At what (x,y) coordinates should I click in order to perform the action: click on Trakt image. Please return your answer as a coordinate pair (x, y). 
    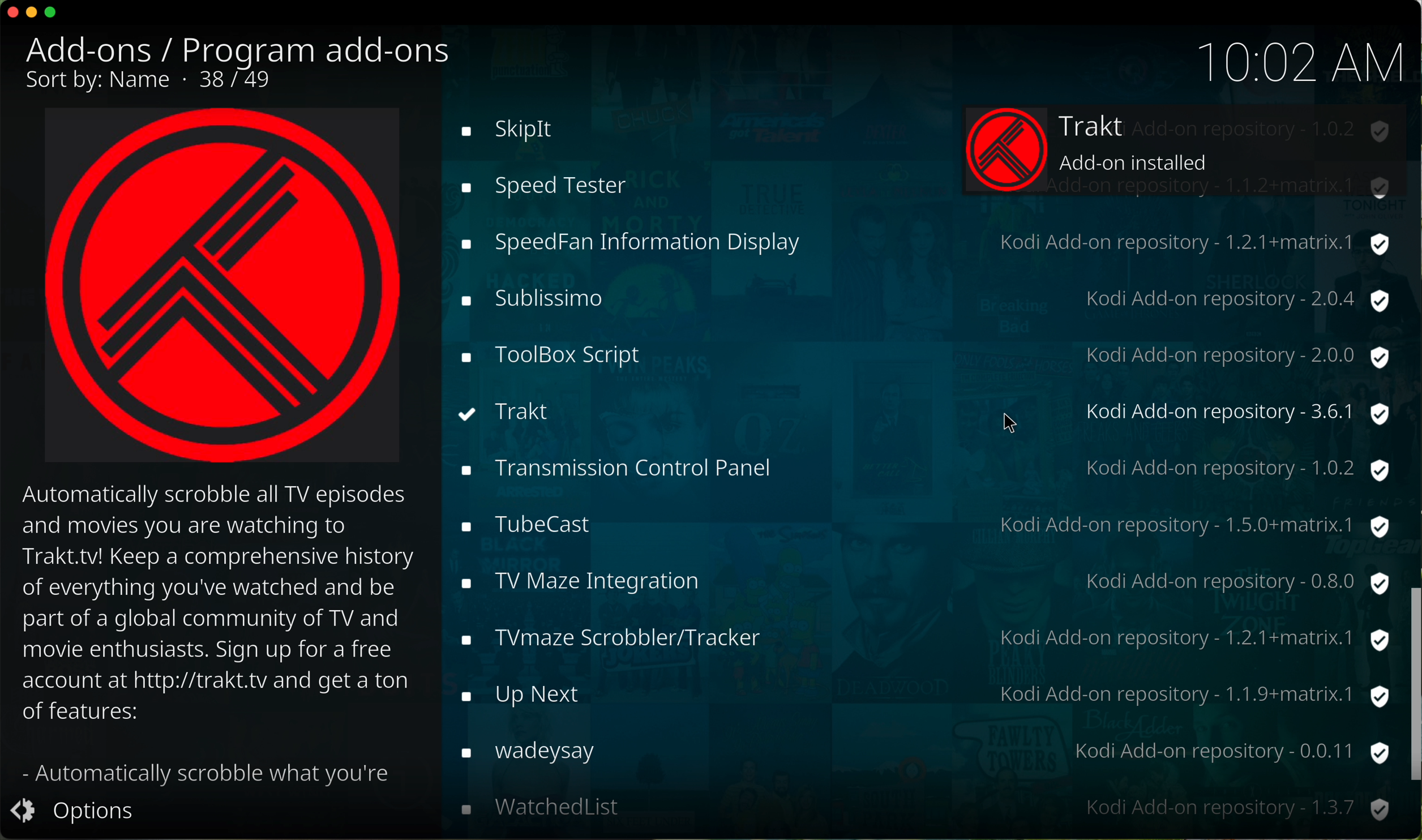
    Looking at the image, I should click on (225, 288).